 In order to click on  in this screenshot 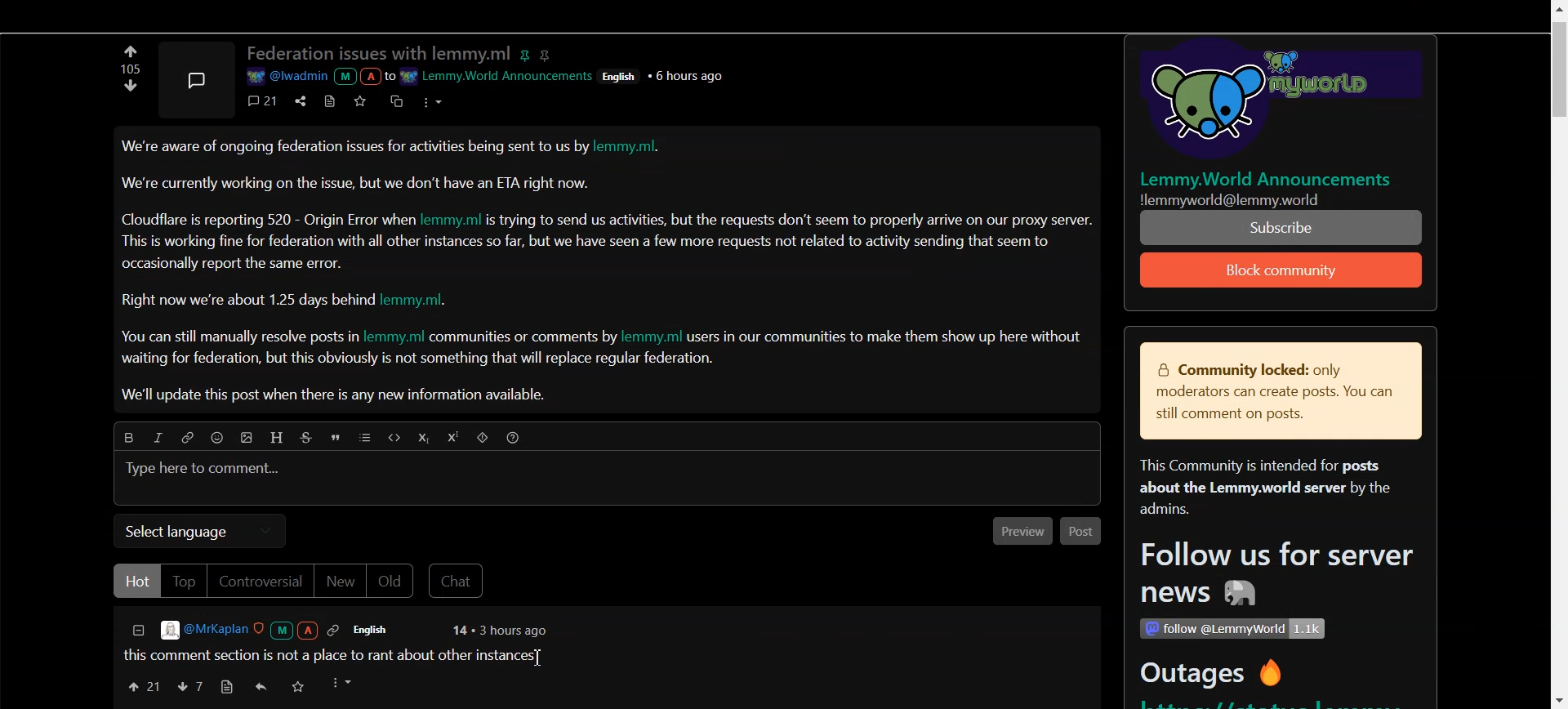, I will do `click(1271, 102)`.